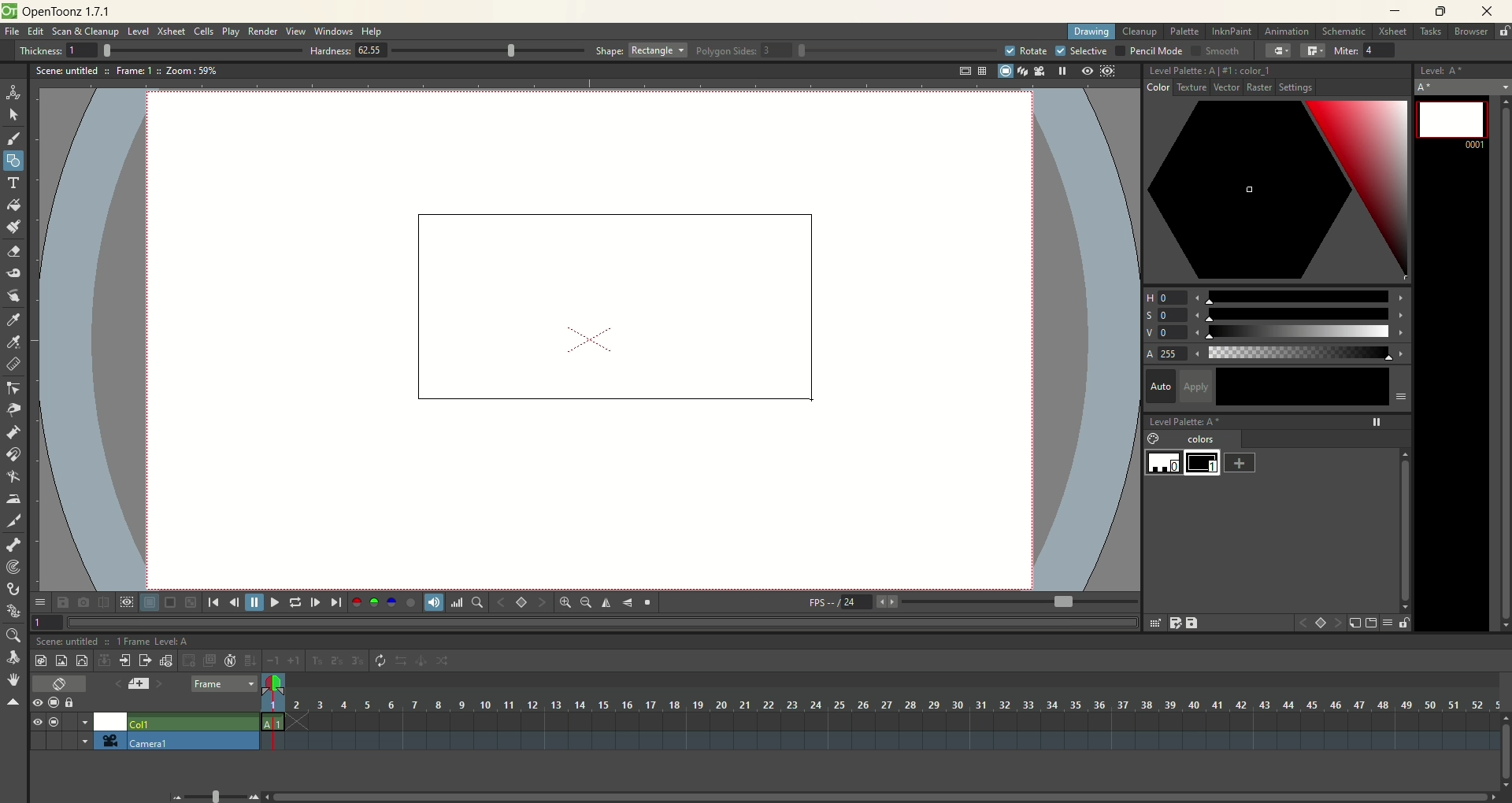 This screenshot has height=803, width=1512. Describe the element at coordinates (250, 661) in the screenshot. I see `fill in empty cells` at that location.